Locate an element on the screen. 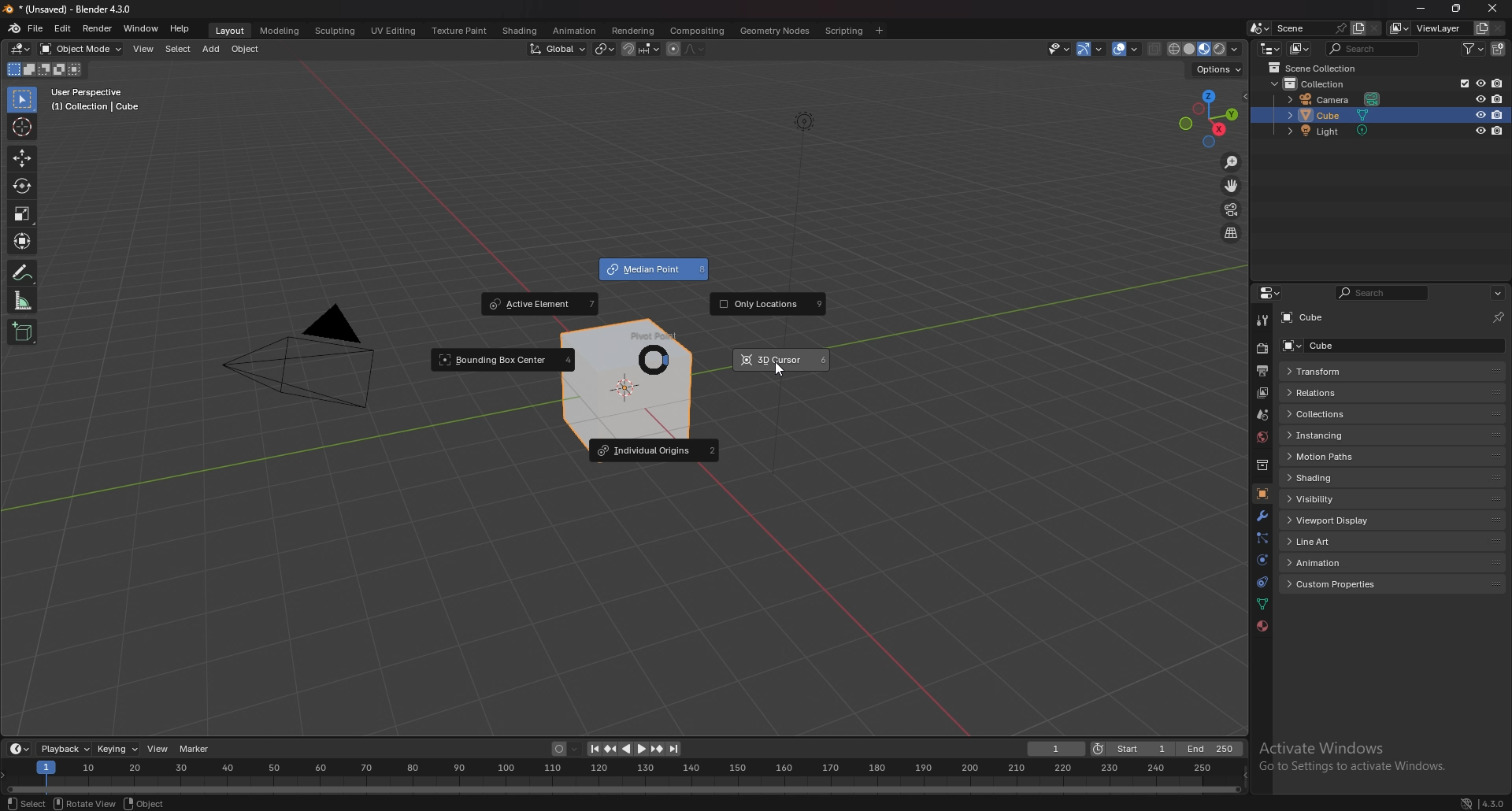  cube is located at coordinates (1330, 115).